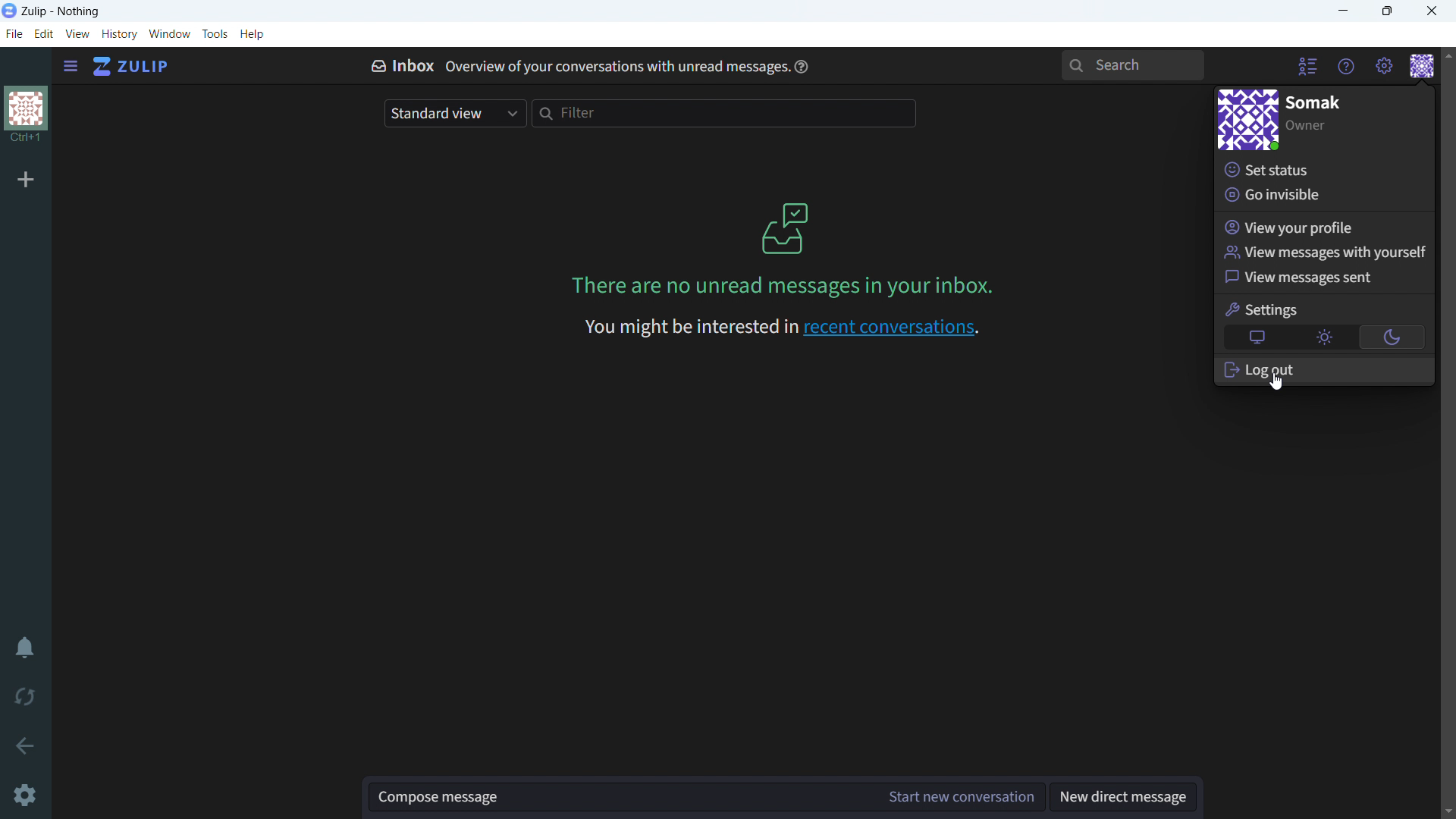 The image size is (1456, 819). What do you see at coordinates (1321, 196) in the screenshot?
I see `go invisible` at bounding box center [1321, 196].